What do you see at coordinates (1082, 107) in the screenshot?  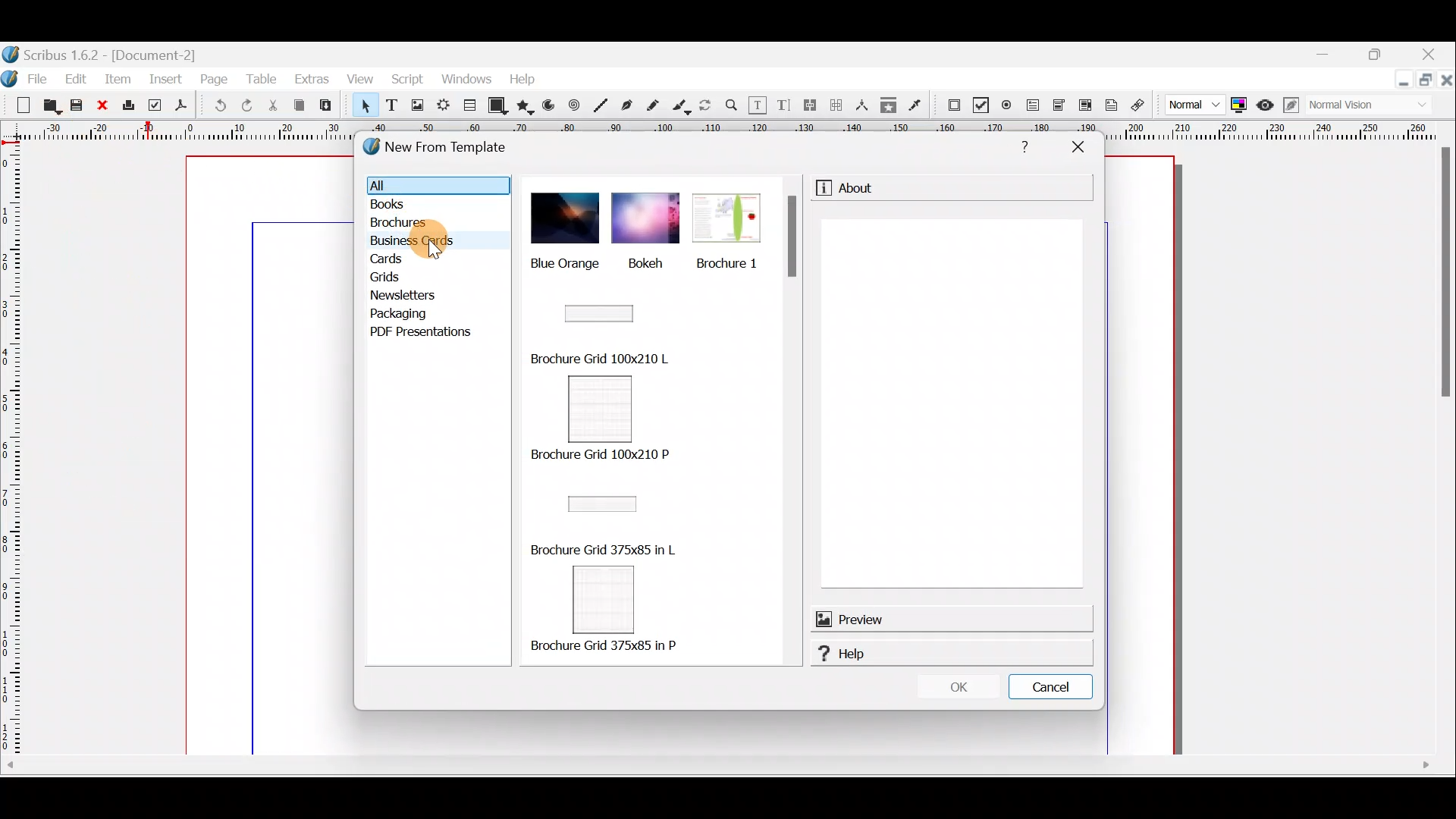 I see `PDF list box` at bounding box center [1082, 107].